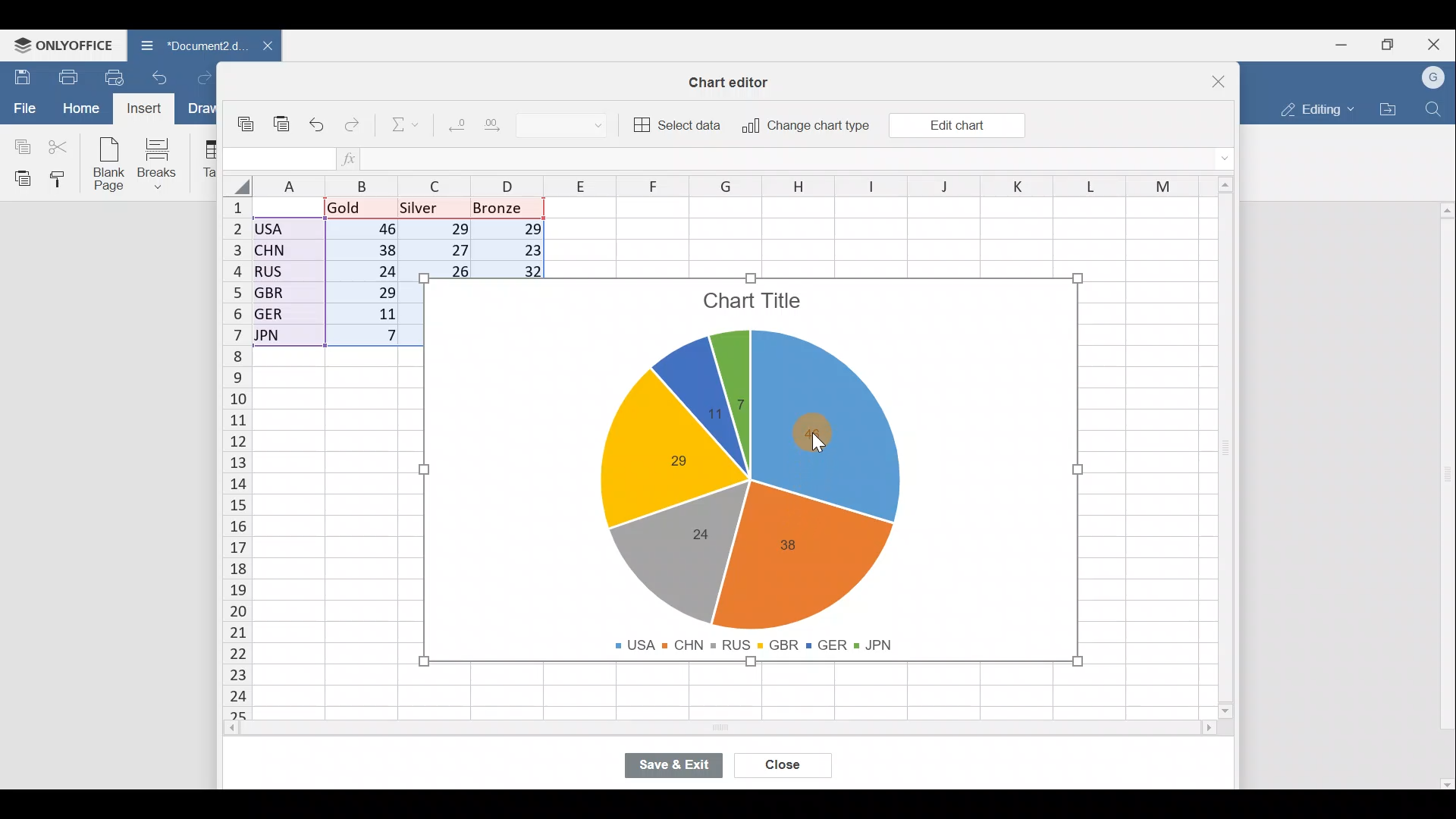  I want to click on Close, so click(1225, 80).